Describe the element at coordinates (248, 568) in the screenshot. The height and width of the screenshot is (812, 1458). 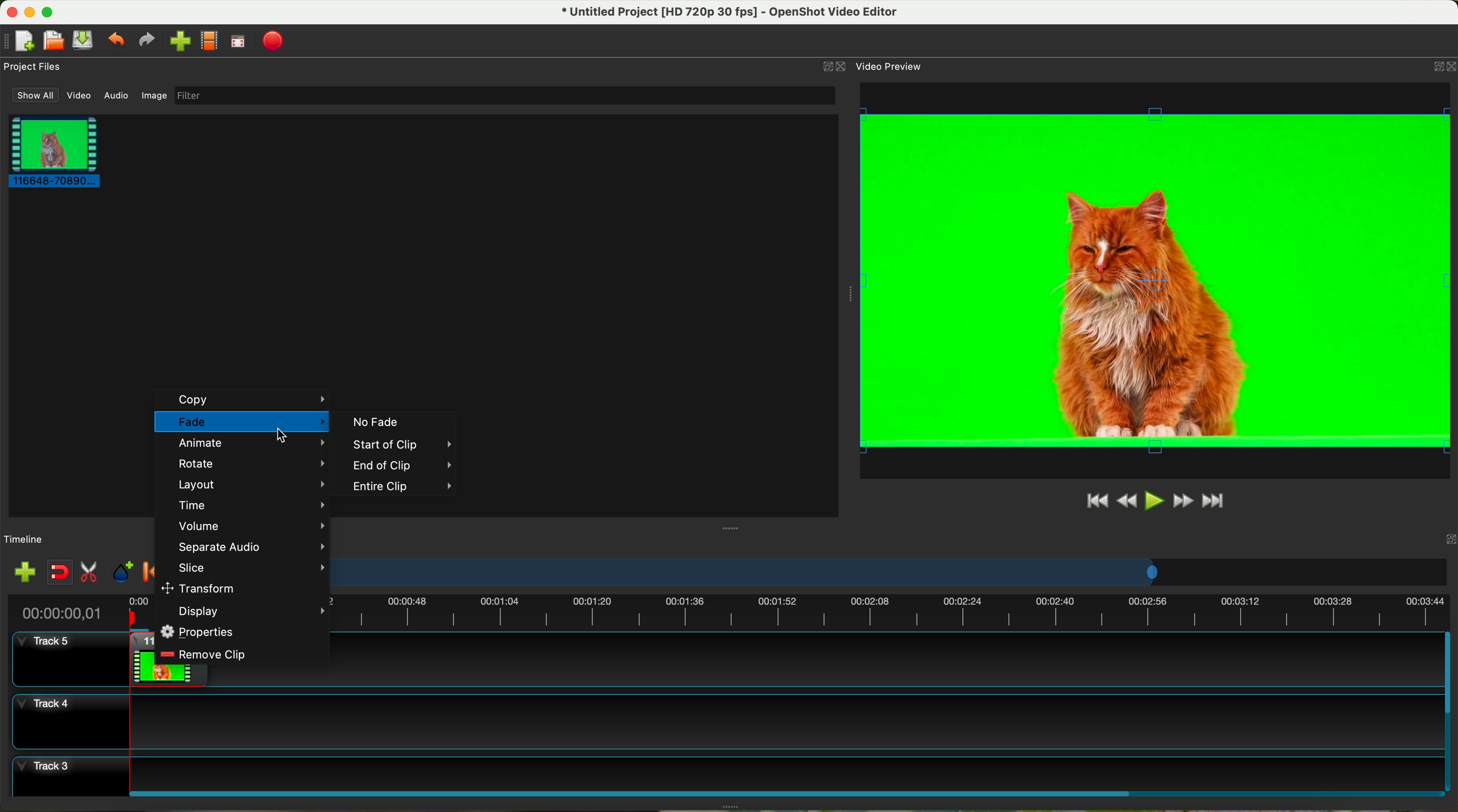
I see `slice` at that location.